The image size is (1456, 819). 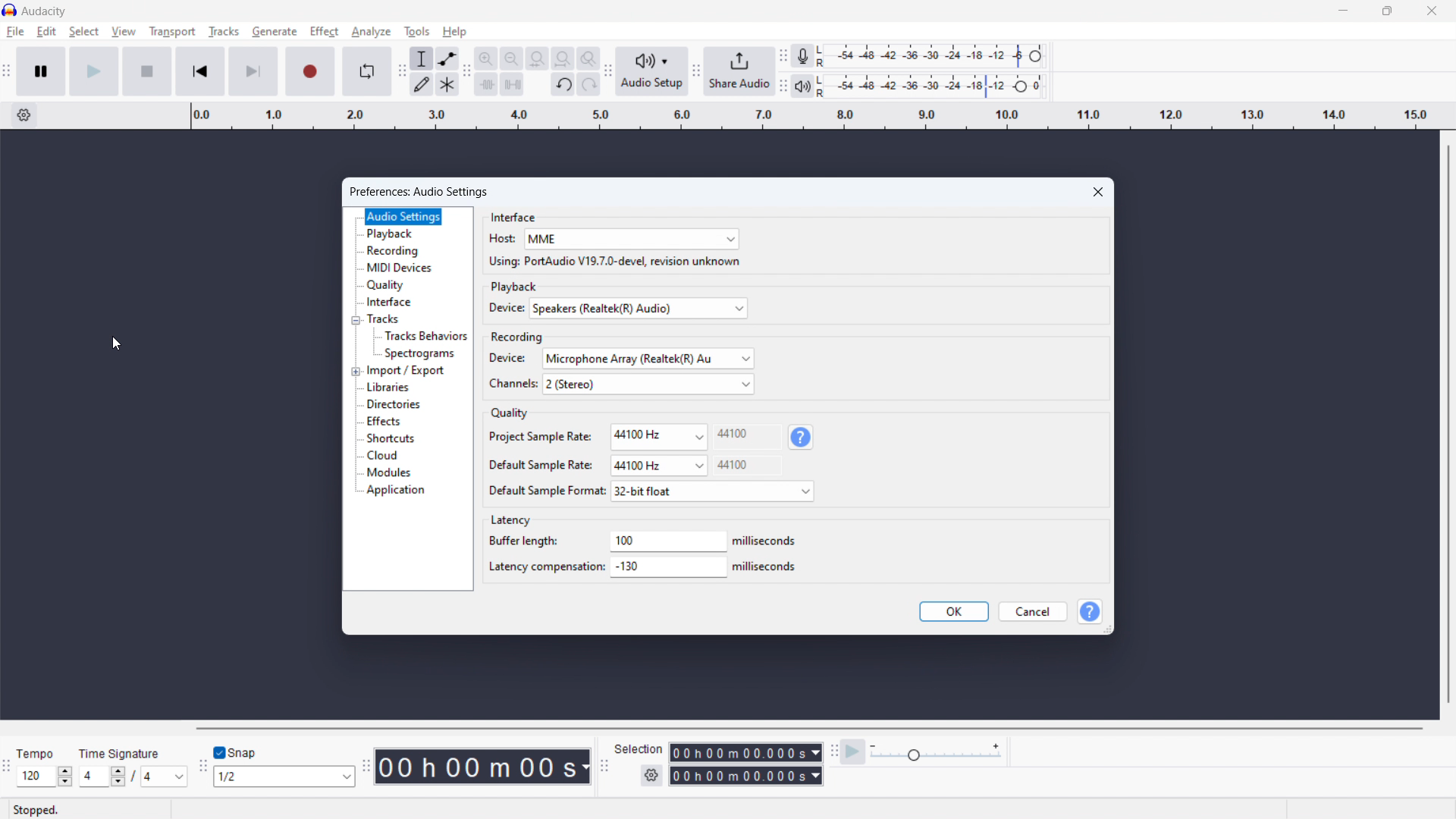 What do you see at coordinates (545, 491) in the screenshot?
I see `Uefault Sample Format:` at bounding box center [545, 491].